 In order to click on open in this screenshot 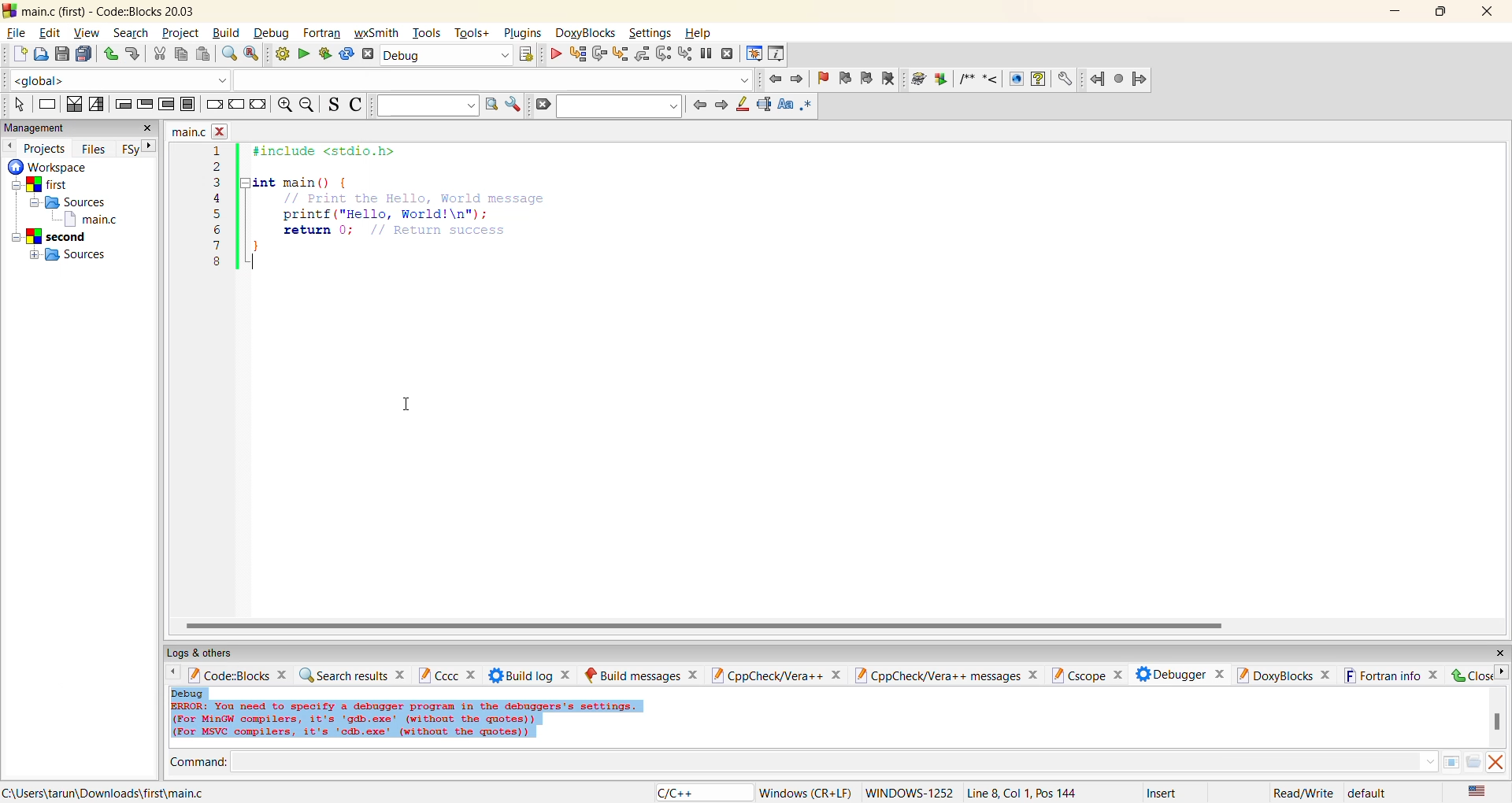, I will do `click(38, 54)`.